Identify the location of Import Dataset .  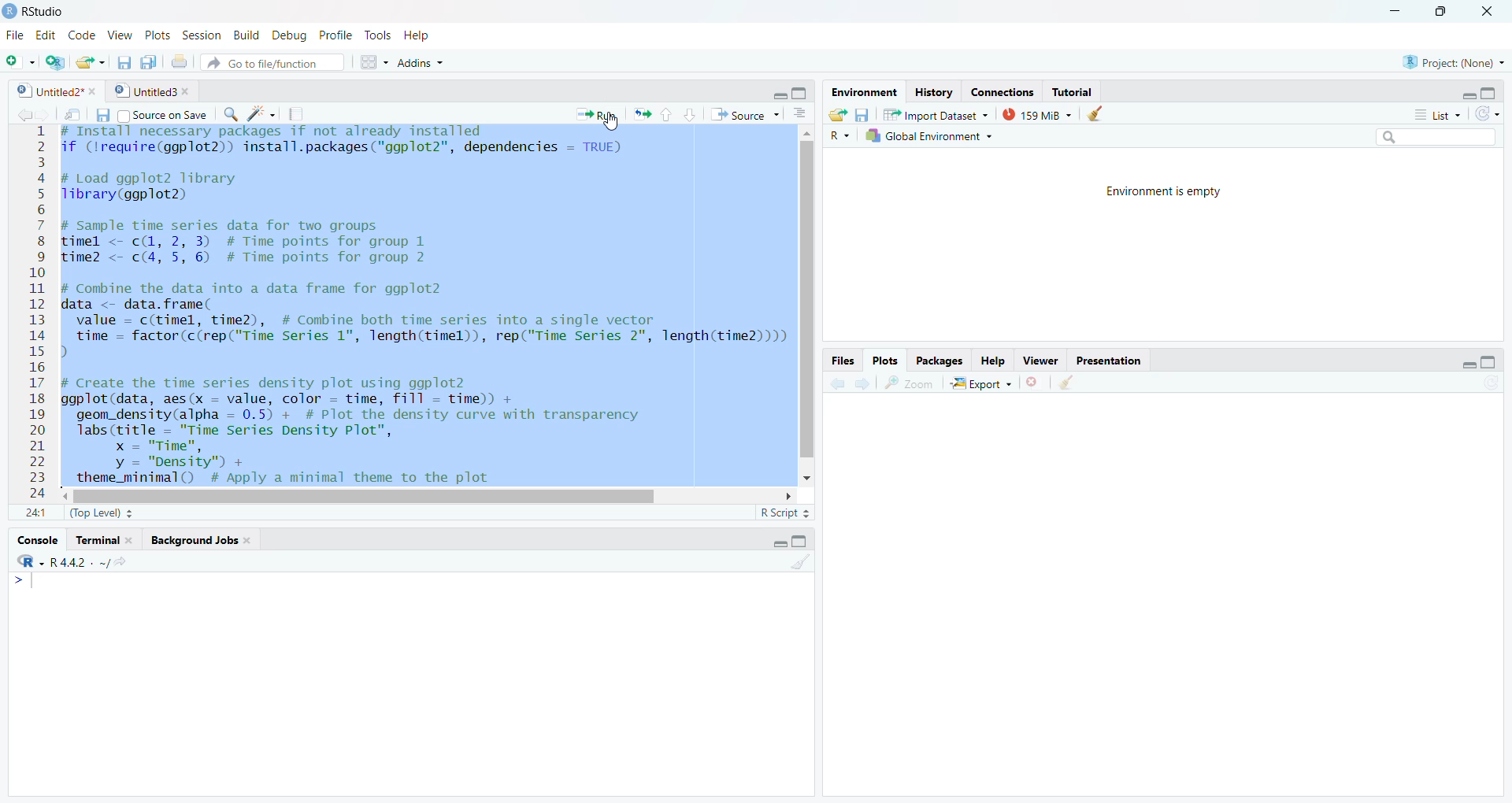
(935, 113).